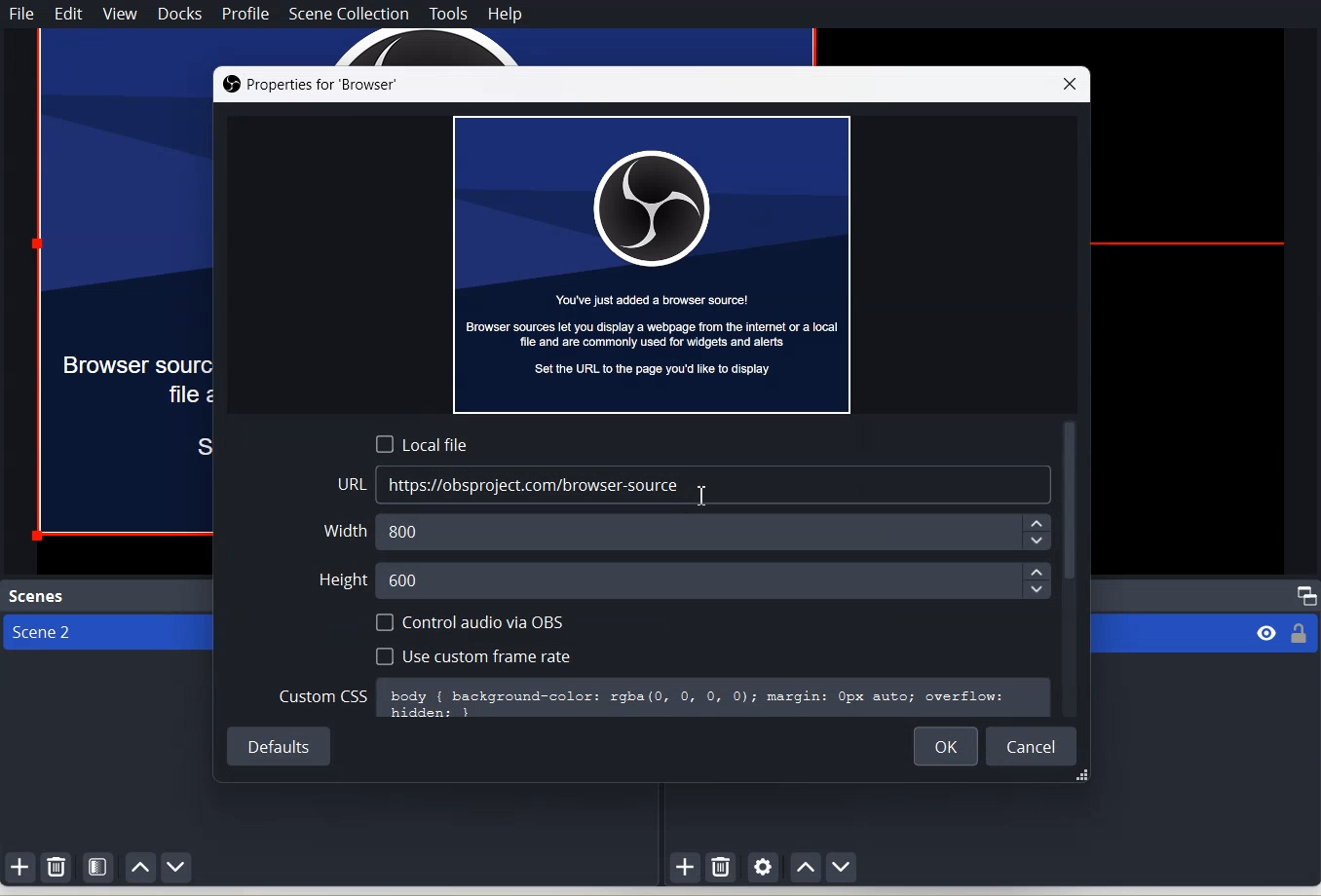 This screenshot has height=896, width=1321. I want to click on URL, so click(351, 482).